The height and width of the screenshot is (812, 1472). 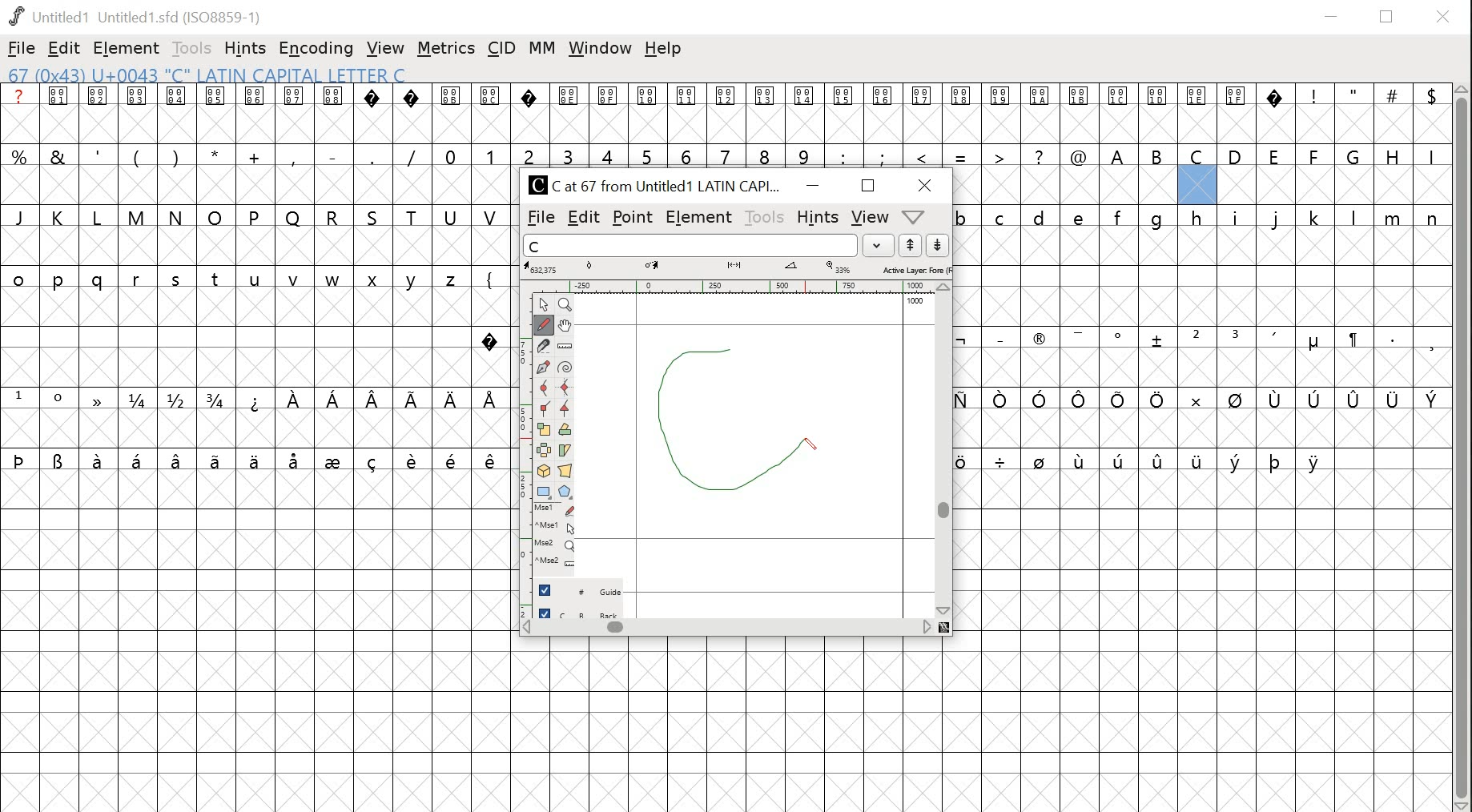 What do you see at coordinates (245, 48) in the screenshot?
I see `hints` at bounding box center [245, 48].